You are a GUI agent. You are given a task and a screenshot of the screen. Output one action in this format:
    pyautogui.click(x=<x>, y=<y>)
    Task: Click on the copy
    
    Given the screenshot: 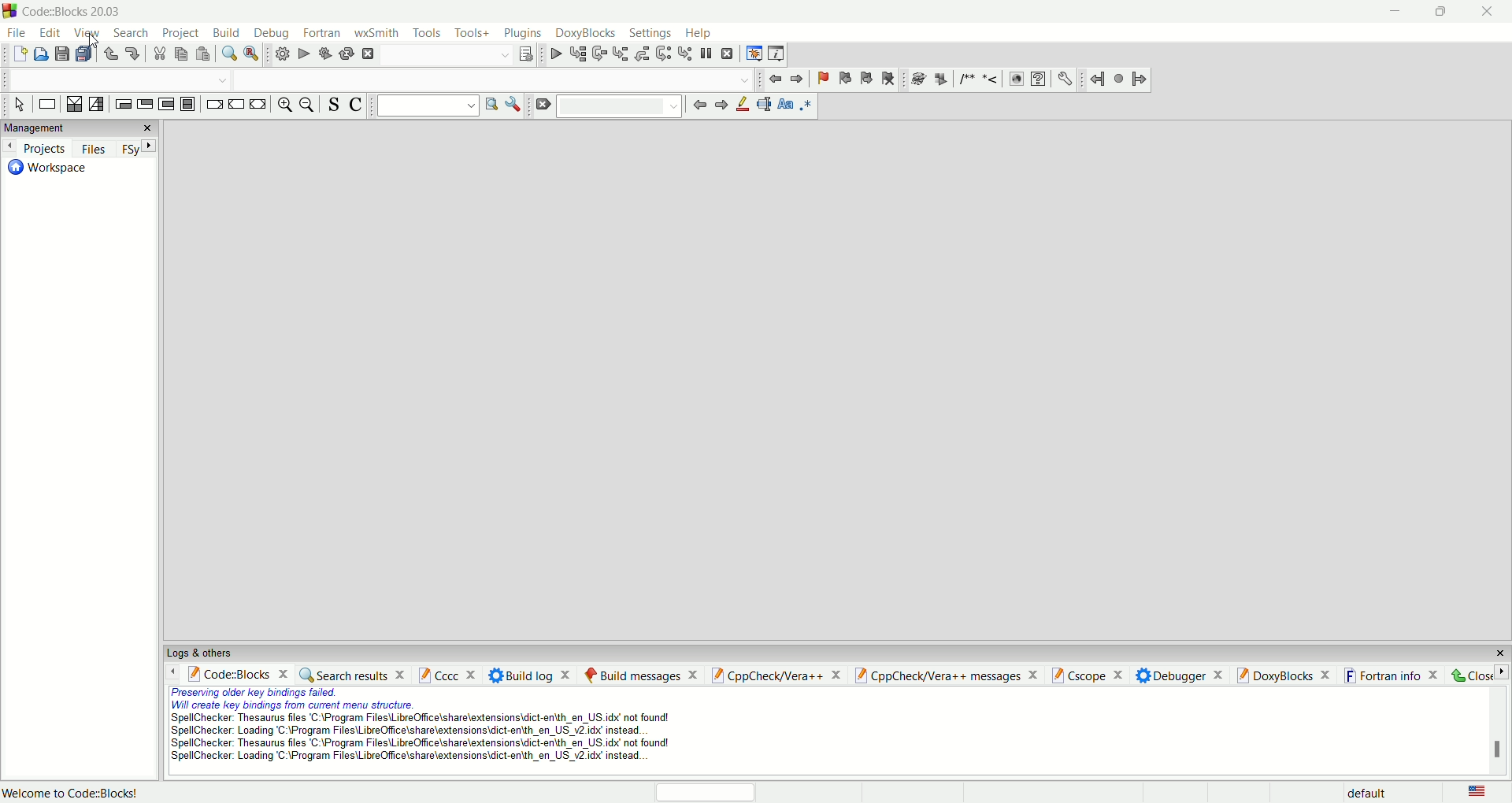 What is the action you would take?
    pyautogui.click(x=180, y=54)
    